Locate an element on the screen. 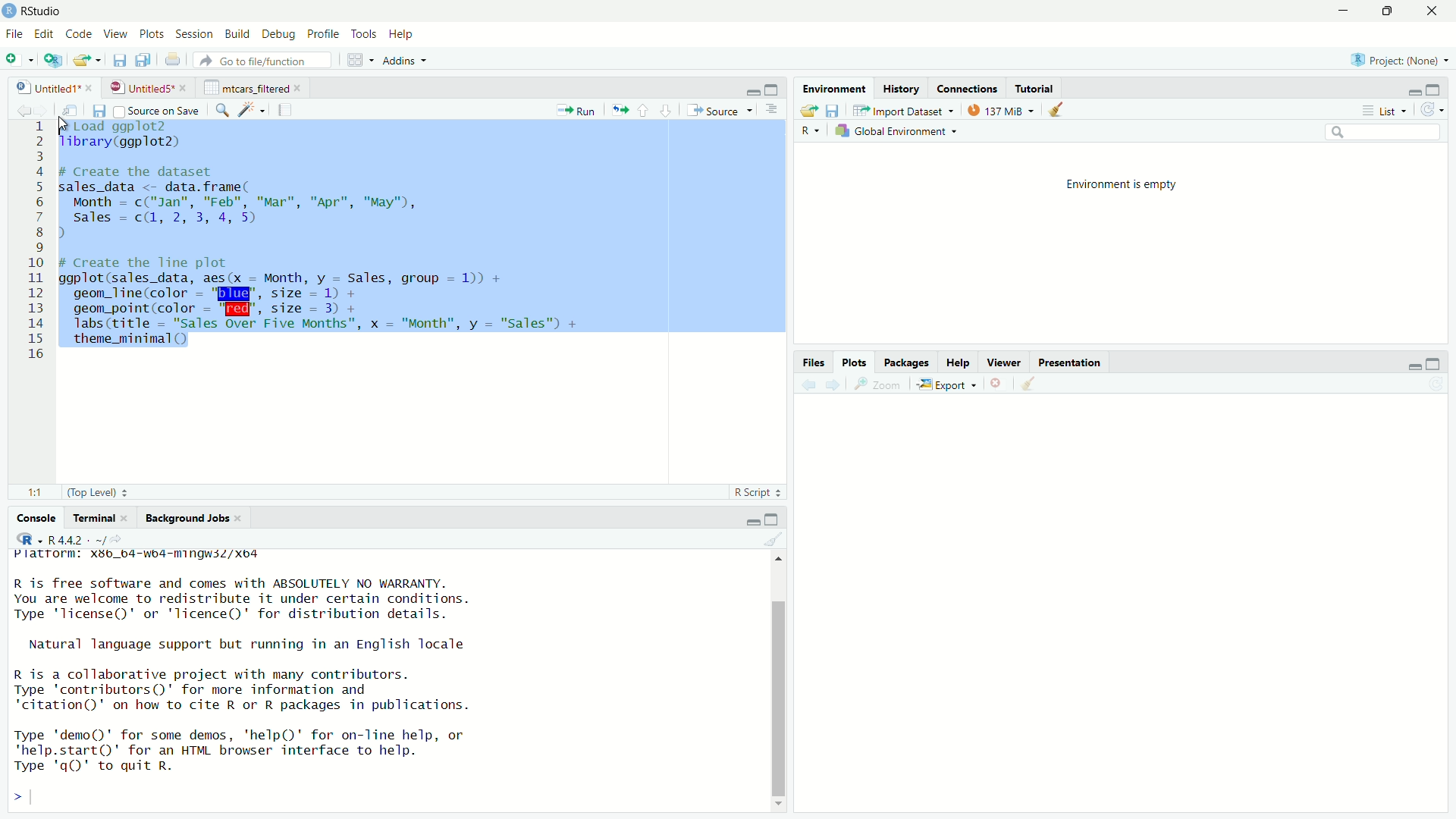 The width and height of the screenshot is (1456, 819). find and replace is located at coordinates (222, 111).